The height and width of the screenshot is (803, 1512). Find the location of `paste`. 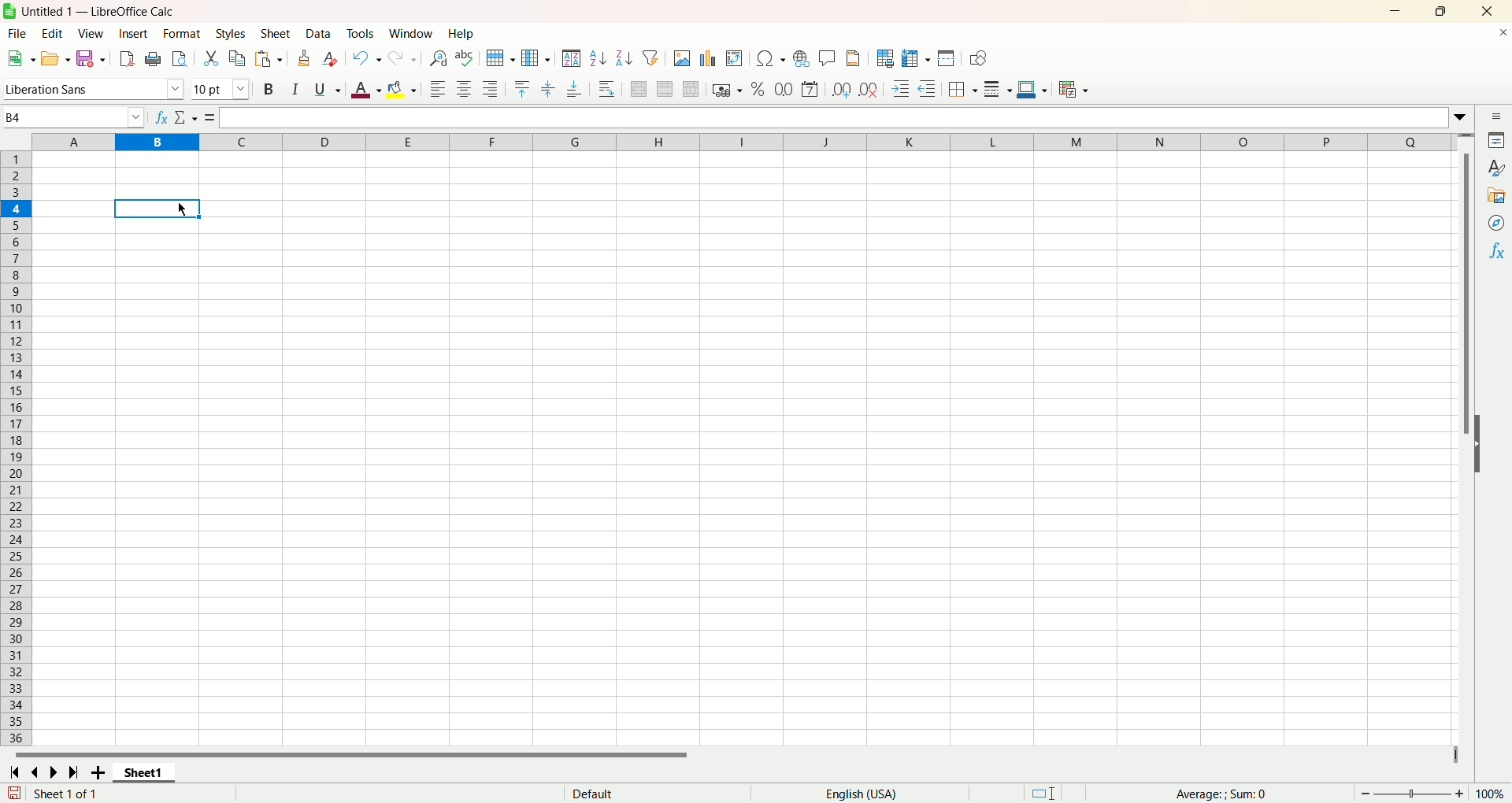

paste is located at coordinates (269, 60).